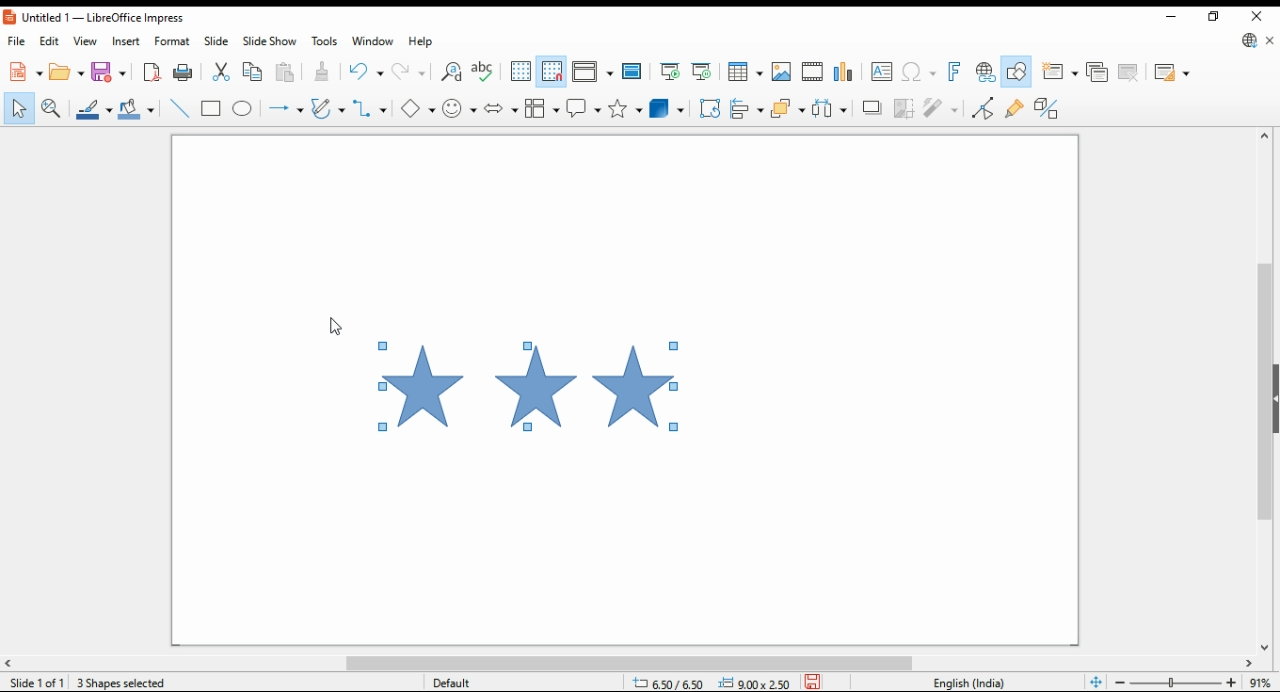  What do you see at coordinates (812, 70) in the screenshot?
I see `insert video` at bounding box center [812, 70].